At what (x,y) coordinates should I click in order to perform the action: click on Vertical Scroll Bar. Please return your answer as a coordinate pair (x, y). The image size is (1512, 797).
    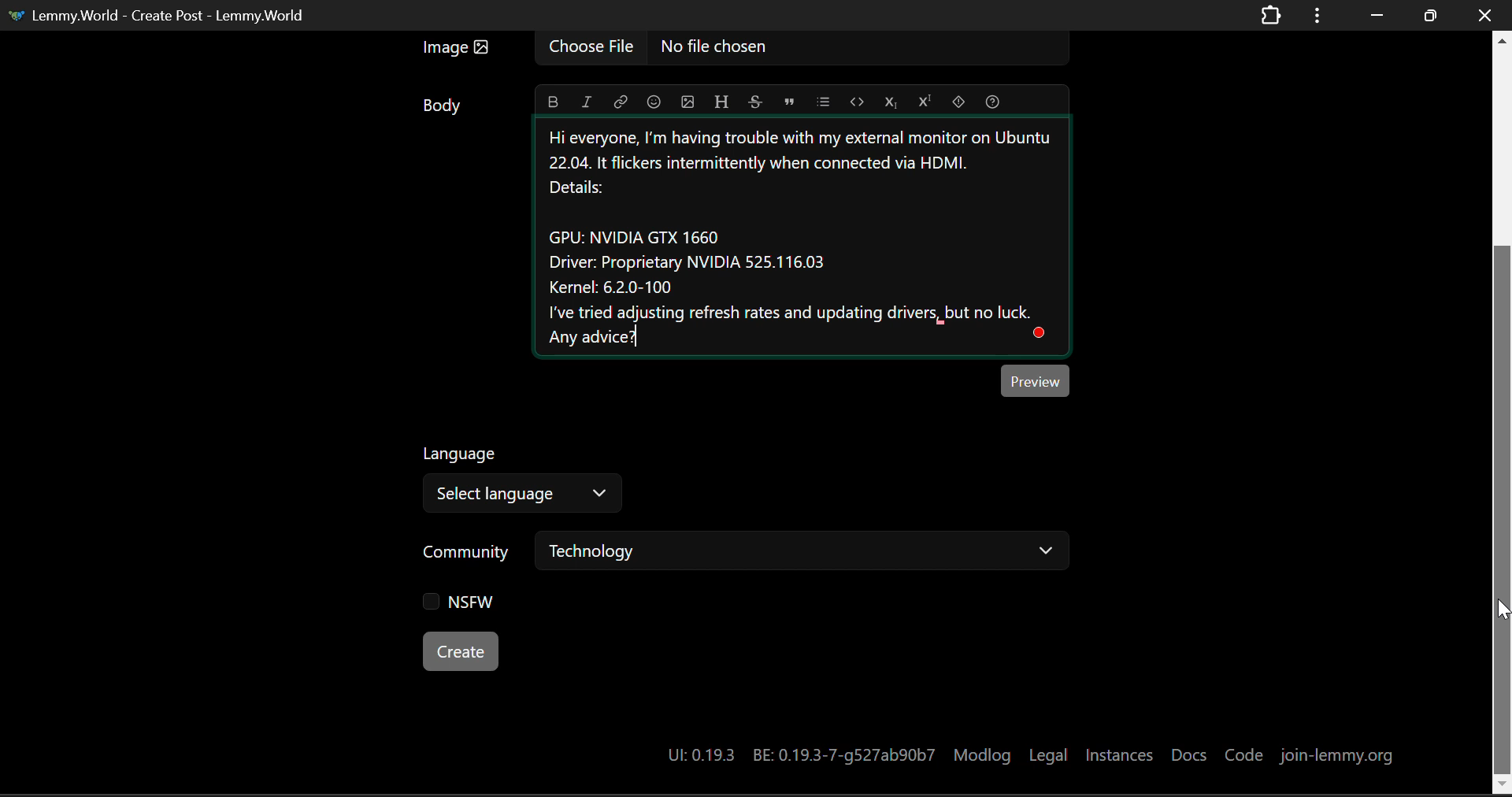
    Looking at the image, I should click on (1503, 413).